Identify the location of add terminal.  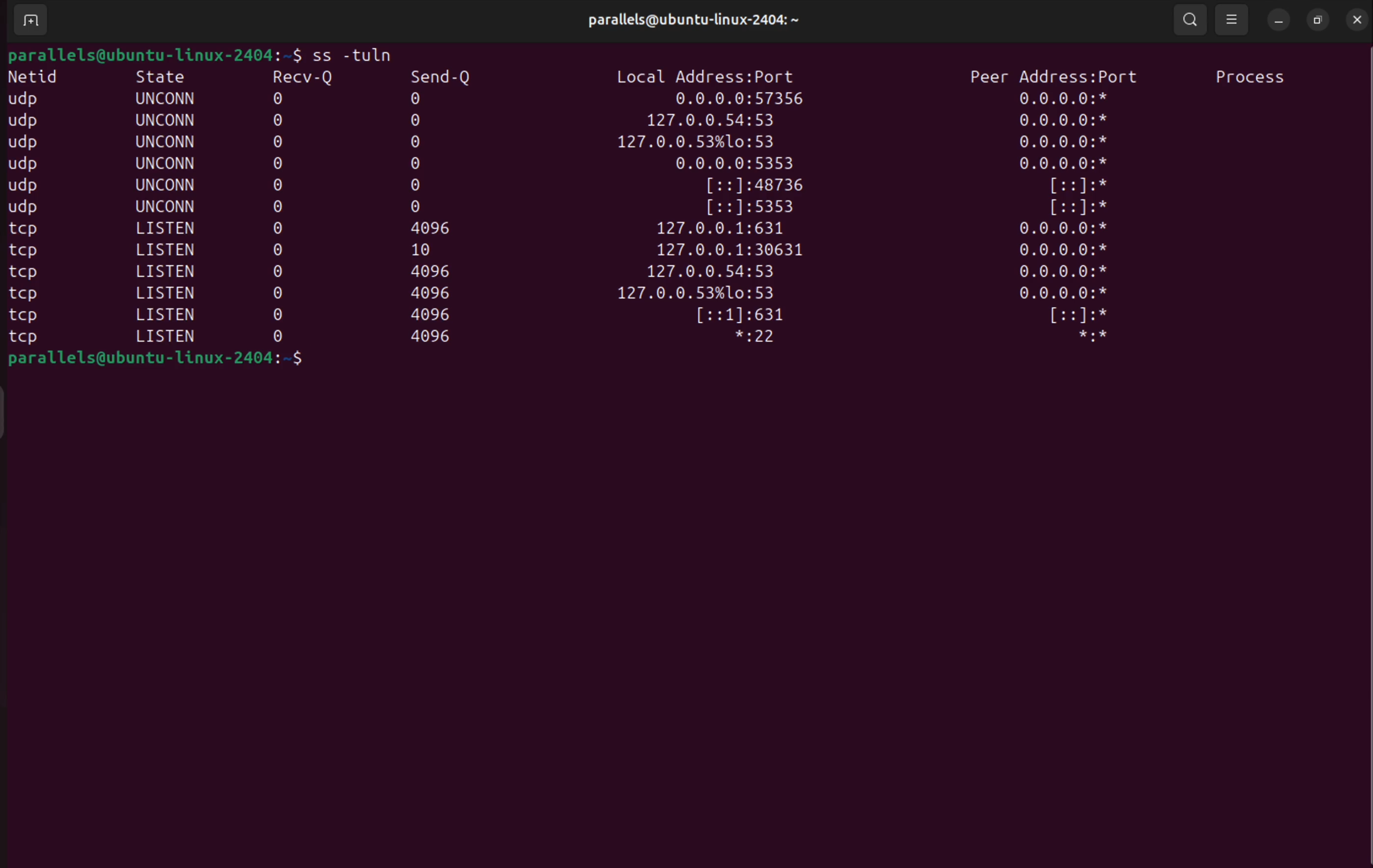
(26, 22).